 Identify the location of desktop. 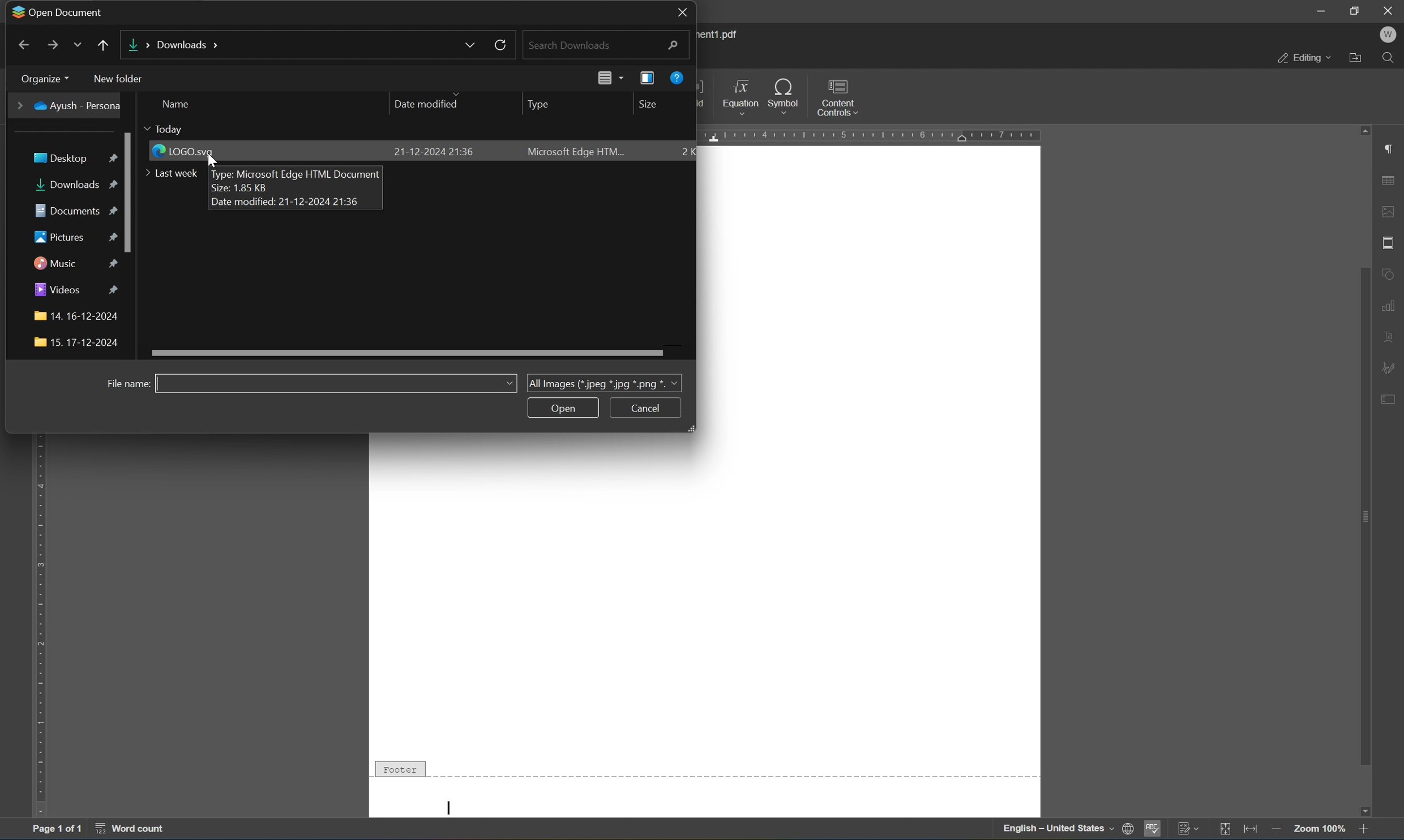
(76, 157).